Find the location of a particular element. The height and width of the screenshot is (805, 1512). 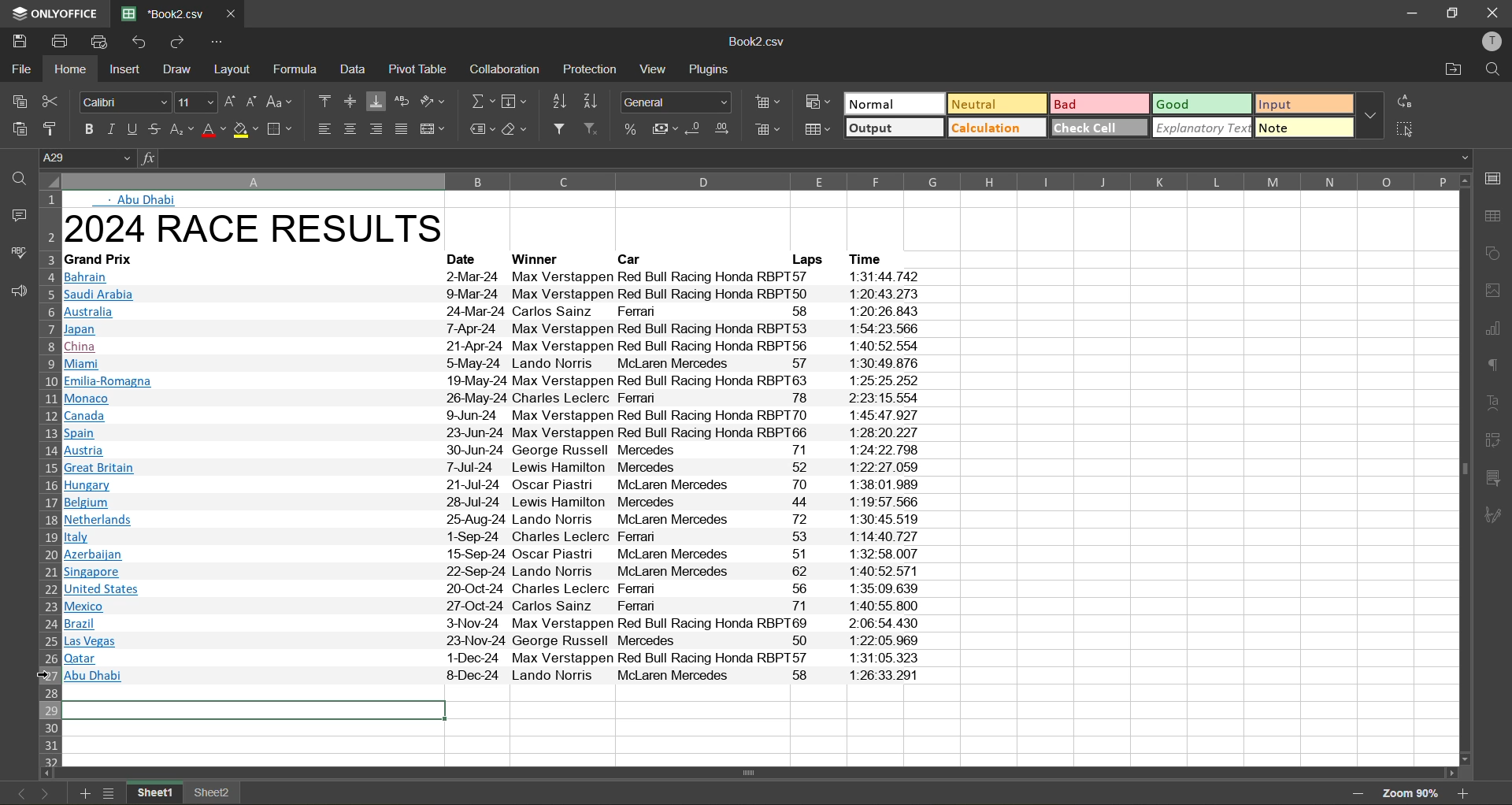

undo is located at coordinates (139, 42).